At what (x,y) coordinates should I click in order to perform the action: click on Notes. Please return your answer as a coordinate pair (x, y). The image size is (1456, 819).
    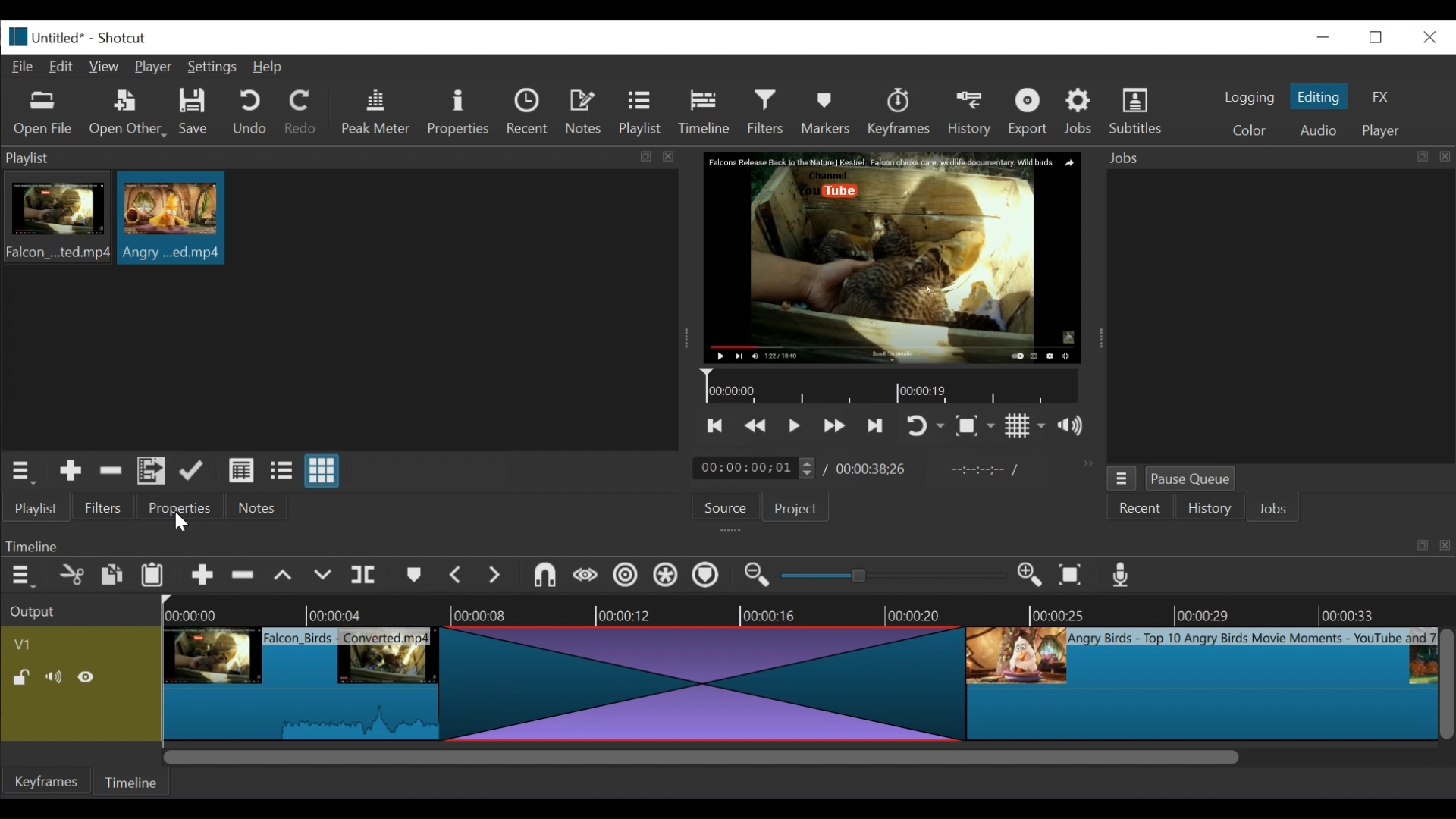
    Looking at the image, I should click on (257, 507).